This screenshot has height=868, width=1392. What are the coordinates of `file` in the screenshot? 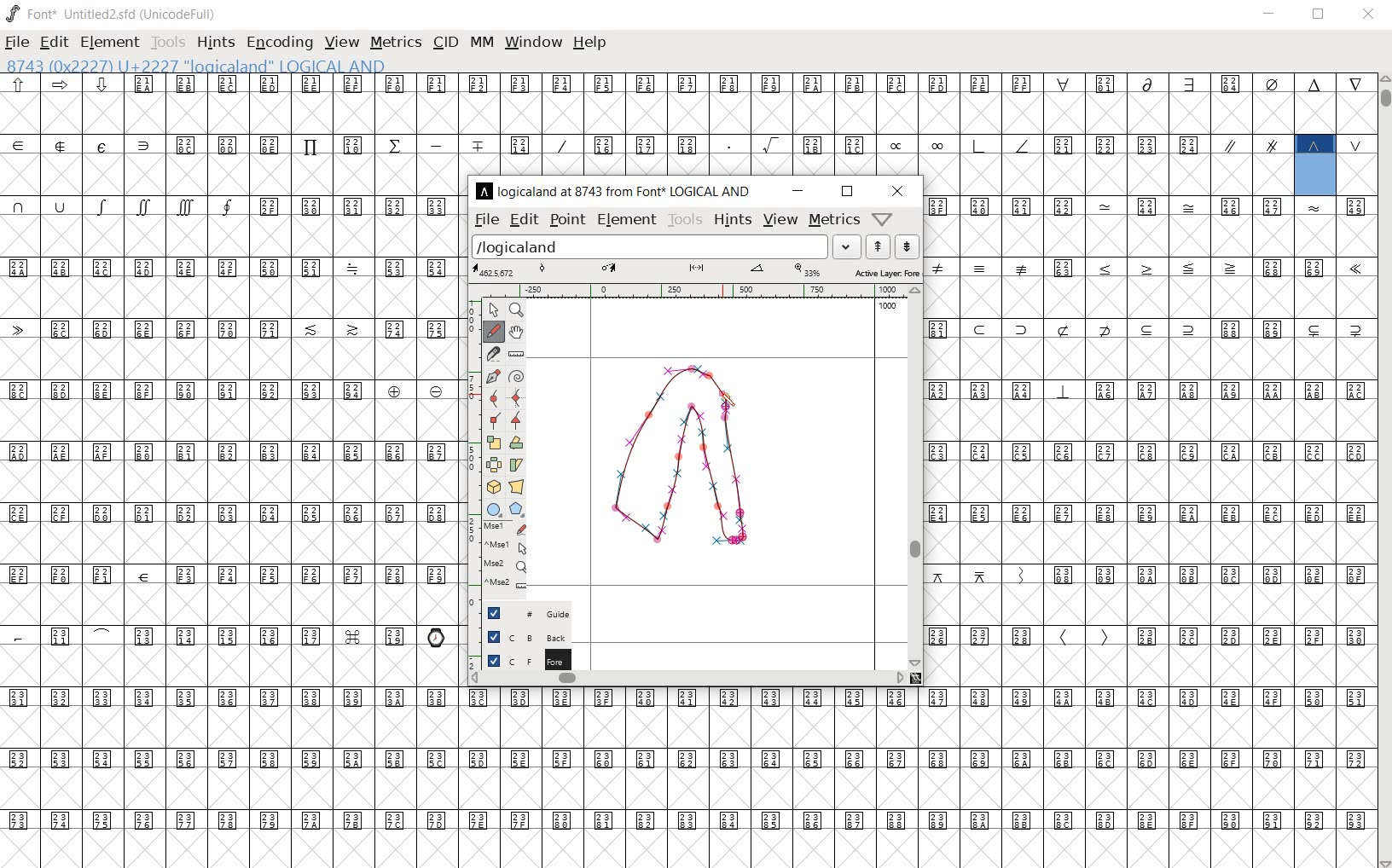 It's located at (485, 220).